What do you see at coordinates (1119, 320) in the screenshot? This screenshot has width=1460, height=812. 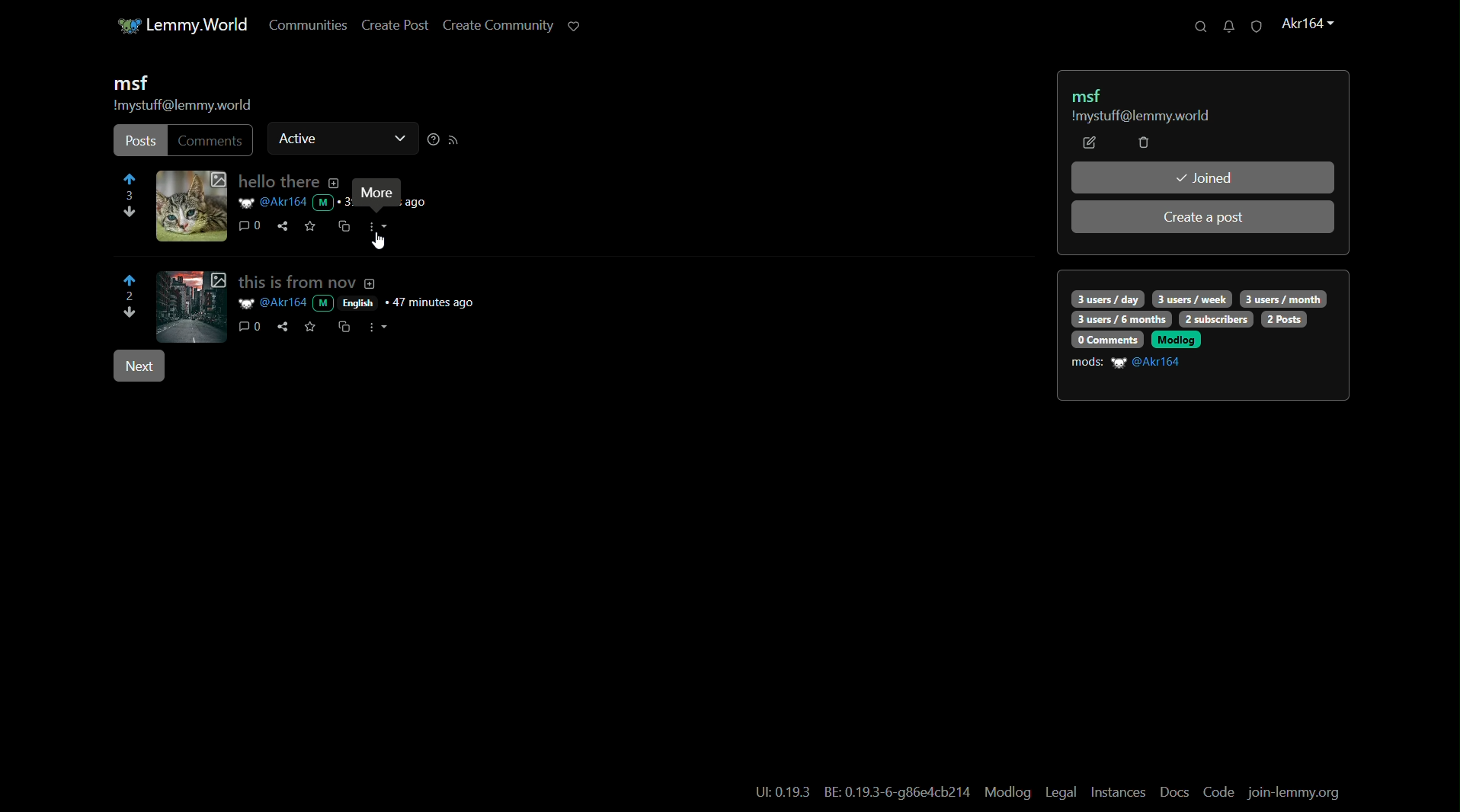 I see `3 users per 6 month` at bounding box center [1119, 320].